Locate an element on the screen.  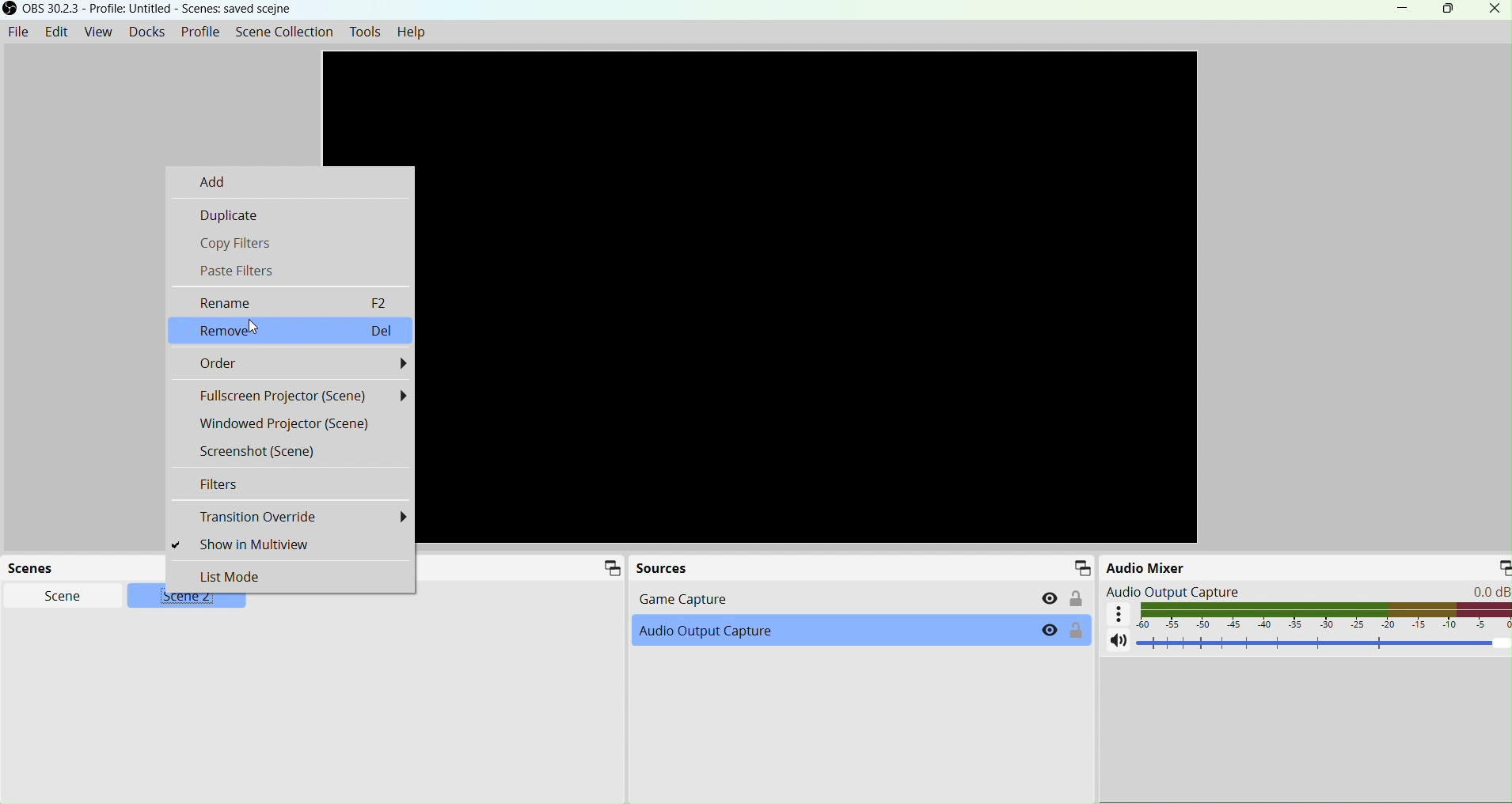
Add is located at coordinates (290, 180).